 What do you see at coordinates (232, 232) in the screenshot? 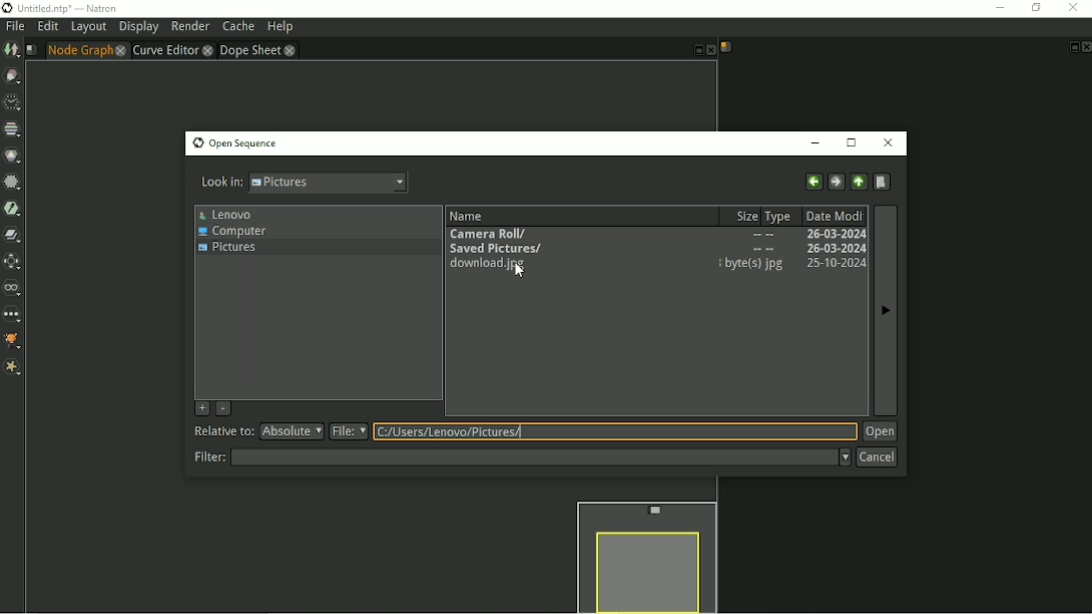
I see `Computer` at bounding box center [232, 232].